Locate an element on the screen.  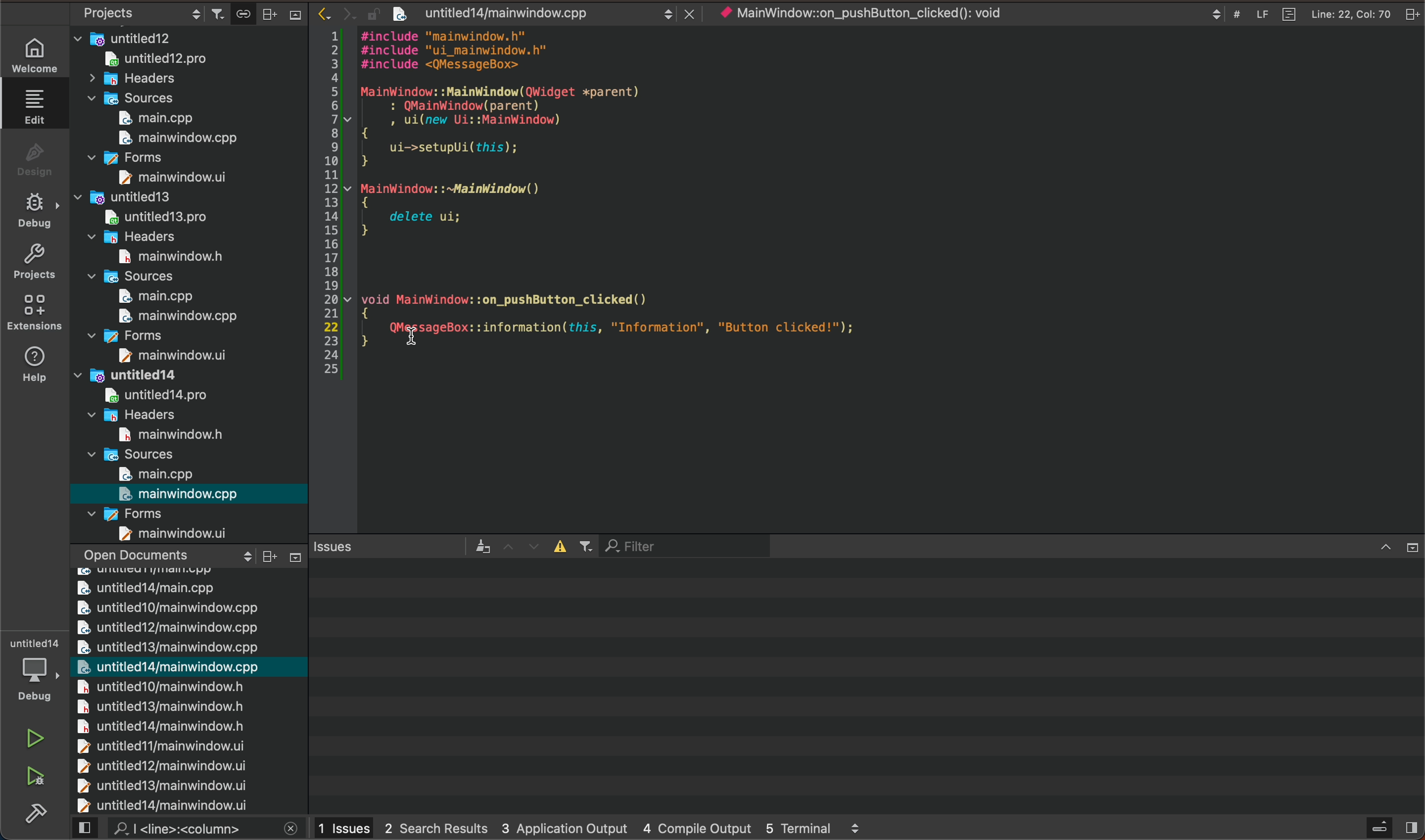
help is located at coordinates (30, 365).